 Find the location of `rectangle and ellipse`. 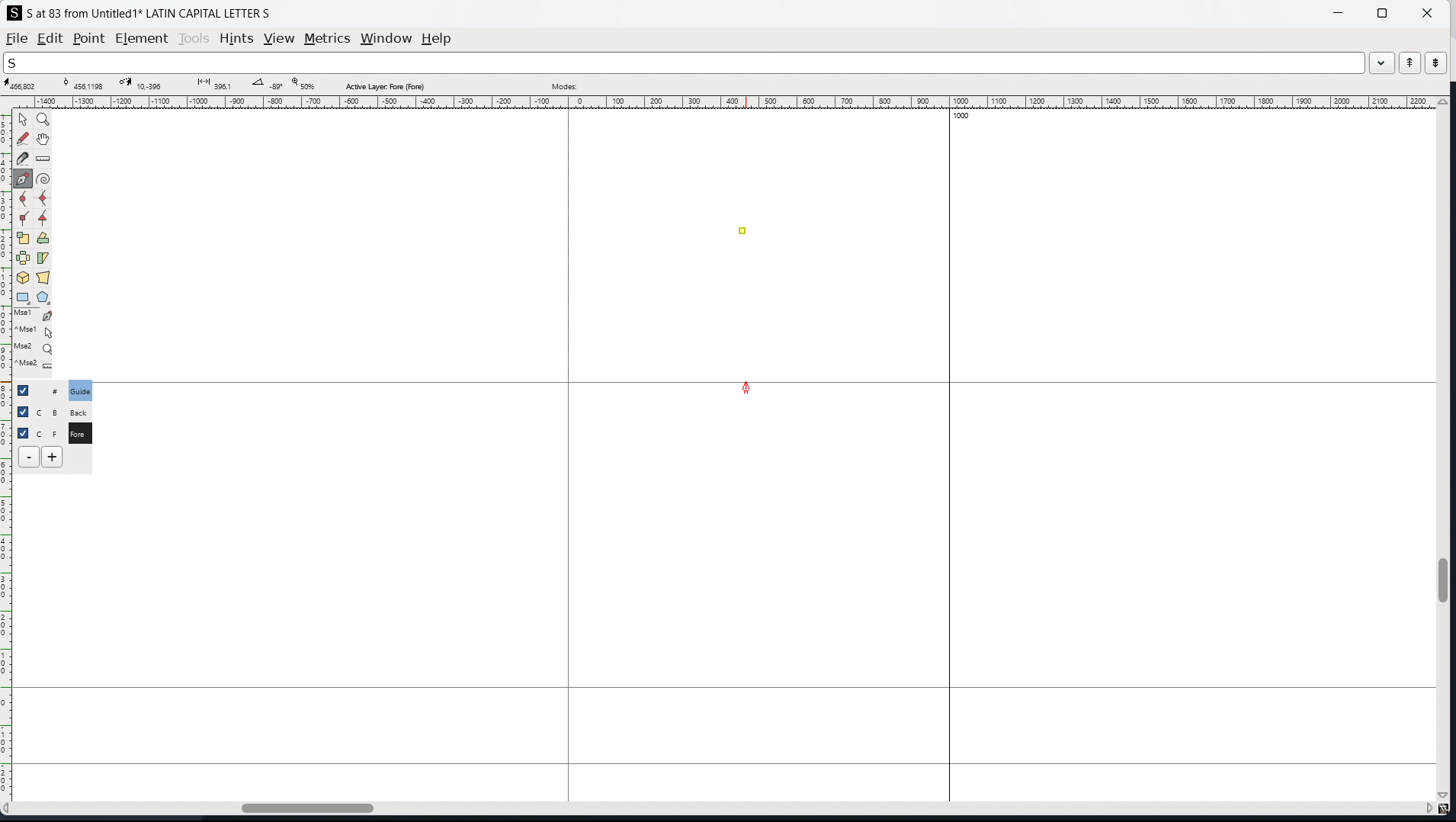

rectangle and ellipse is located at coordinates (24, 298).